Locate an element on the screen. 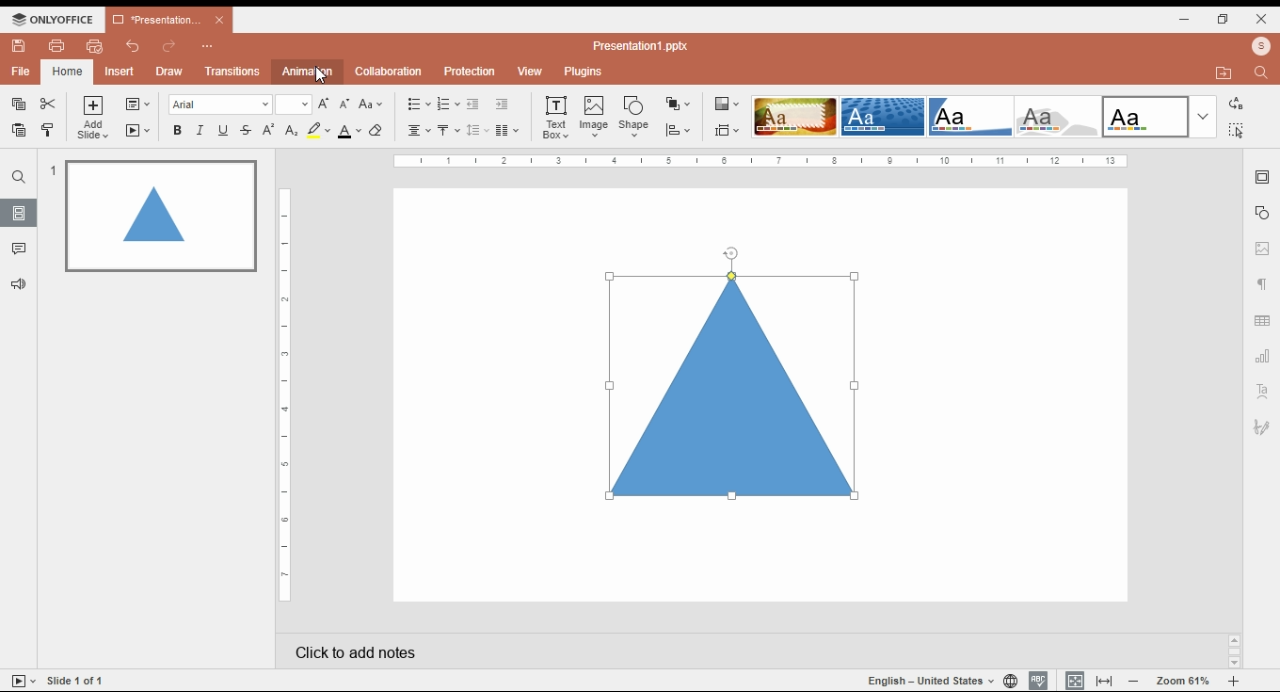 This screenshot has width=1280, height=692. shape setting is located at coordinates (1262, 212).